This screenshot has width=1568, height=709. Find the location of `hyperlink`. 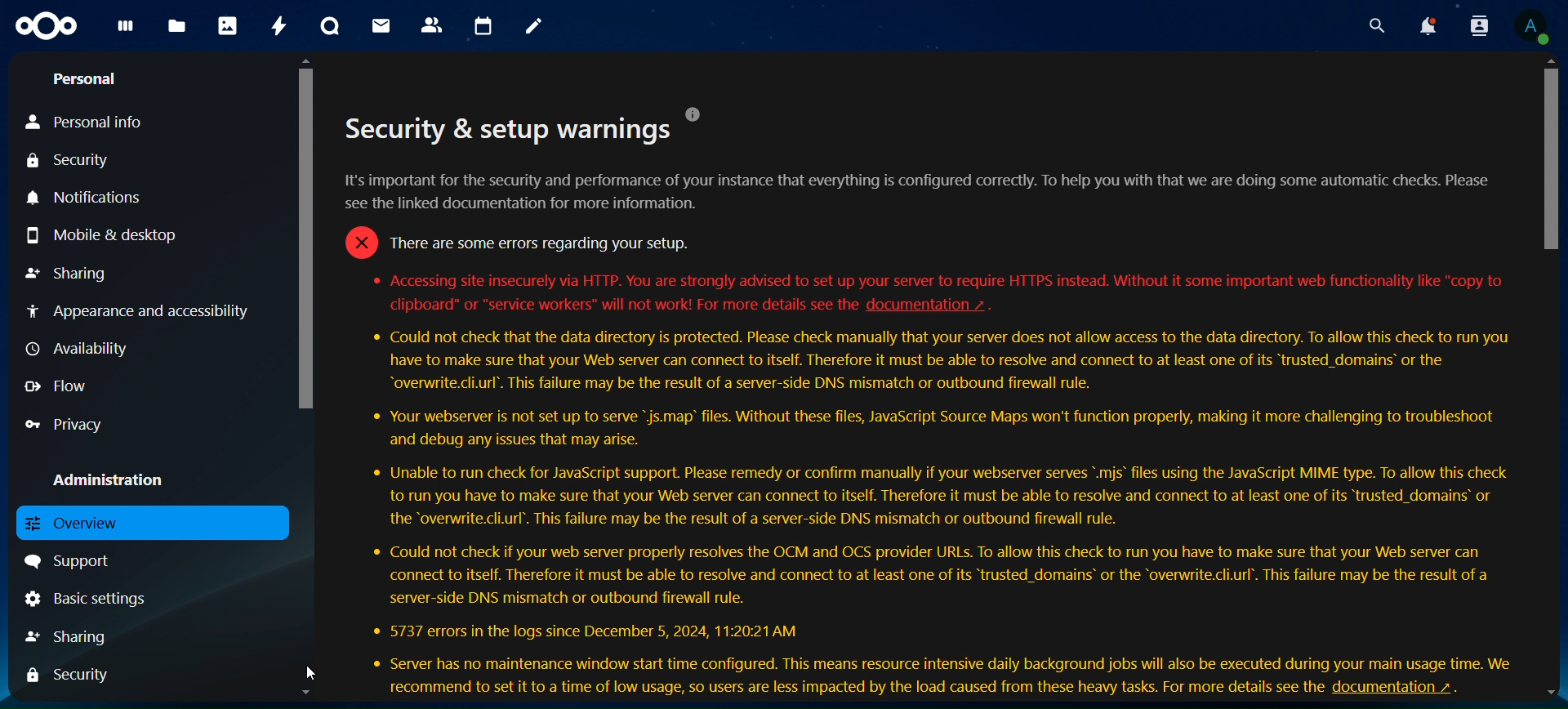

hyperlink is located at coordinates (1410, 686).